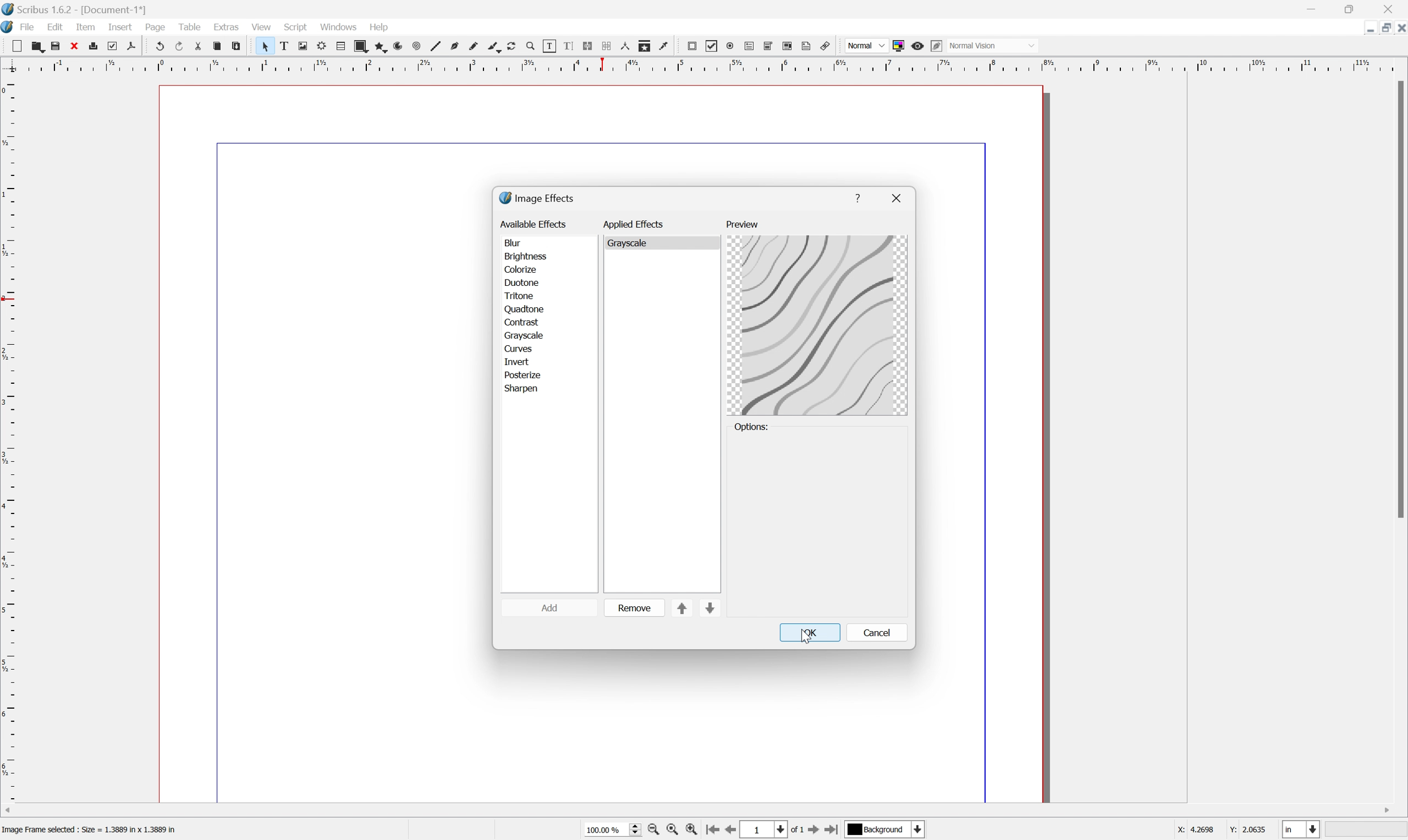  What do you see at coordinates (574, 46) in the screenshot?
I see `Edit text with story editor` at bounding box center [574, 46].